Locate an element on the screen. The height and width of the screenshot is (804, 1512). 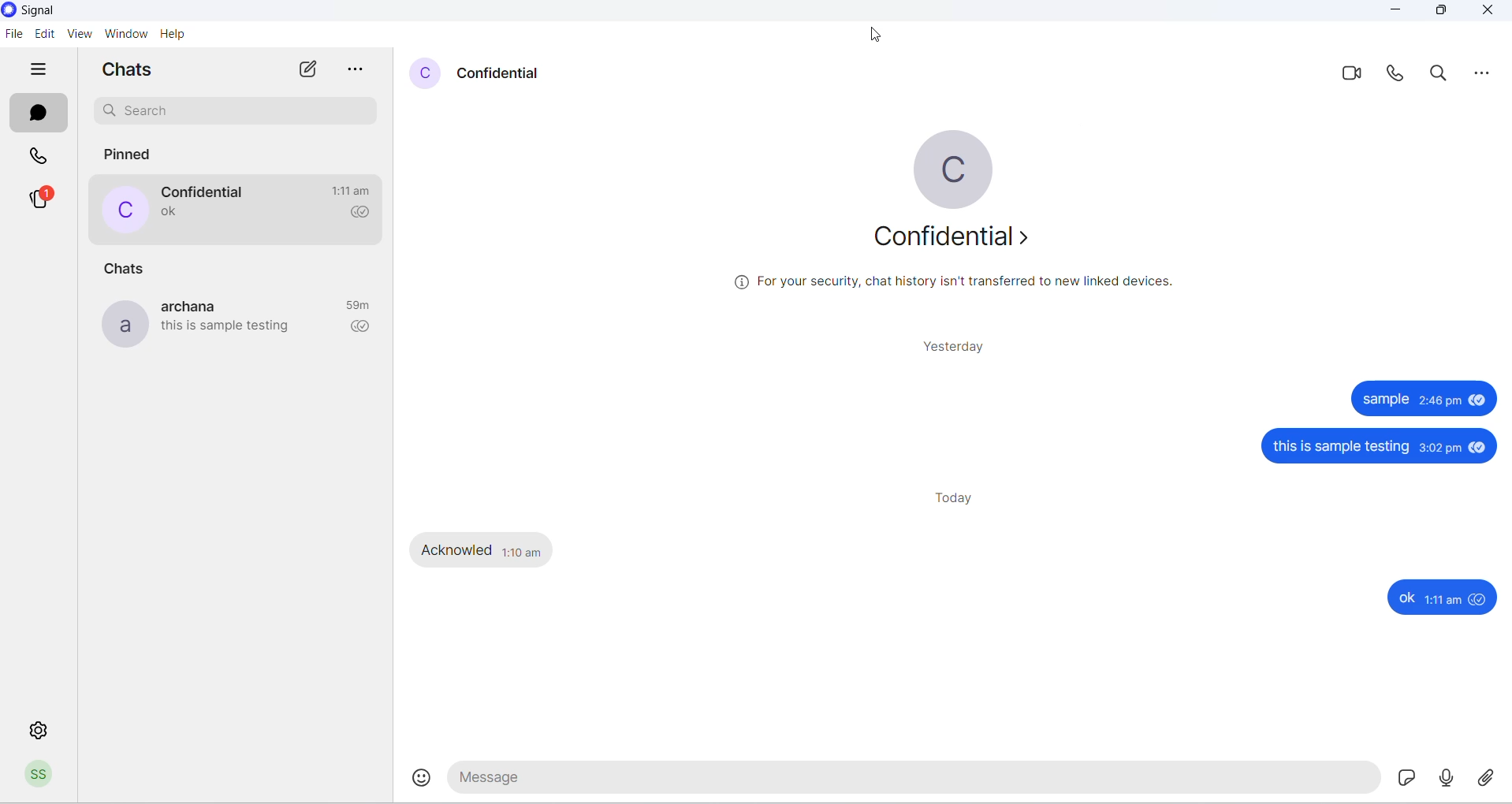
video call is located at coordinates (1350, 73).